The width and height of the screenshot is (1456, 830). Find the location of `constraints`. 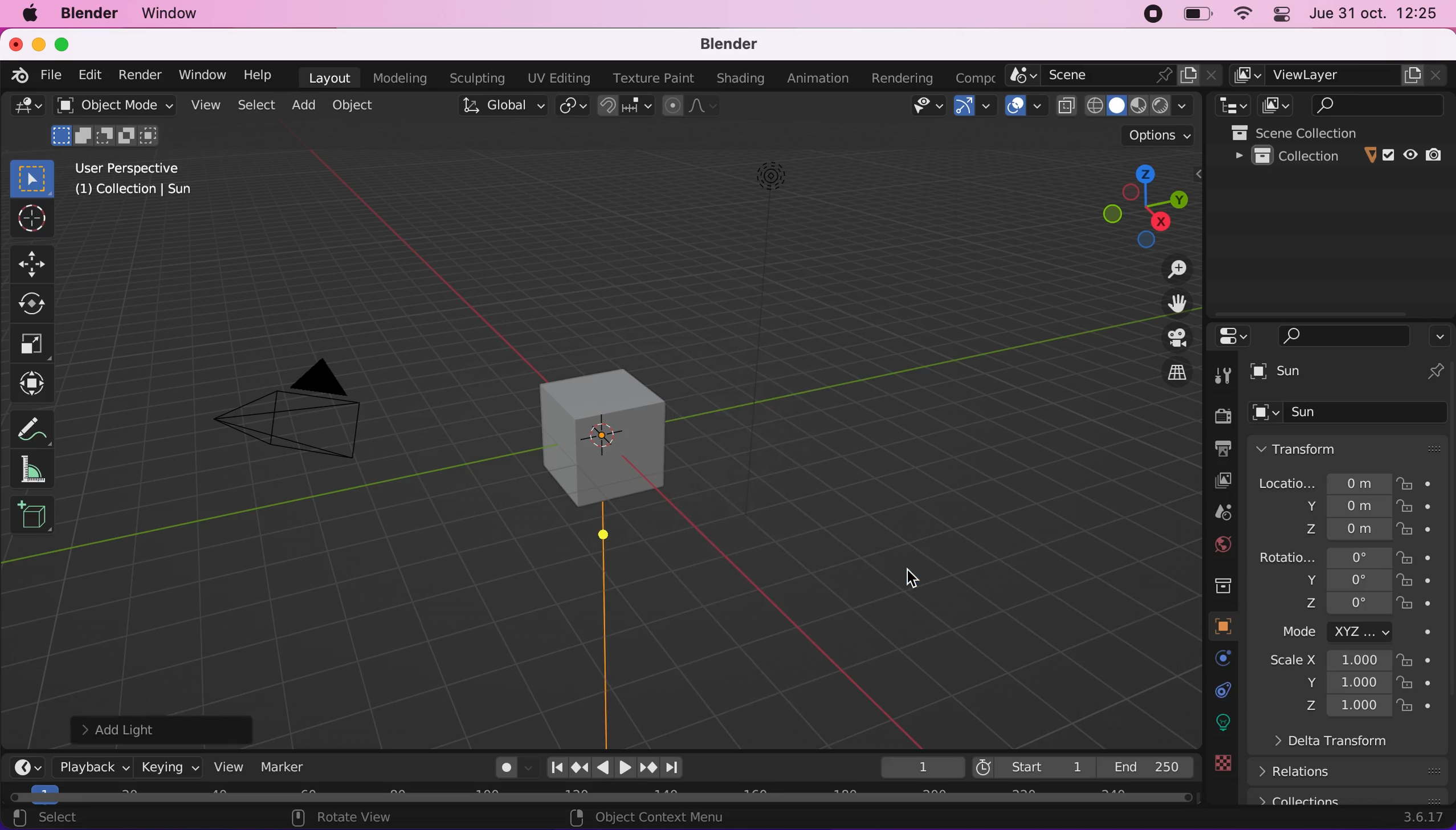

constraints is located at coordinates (1220, 753).